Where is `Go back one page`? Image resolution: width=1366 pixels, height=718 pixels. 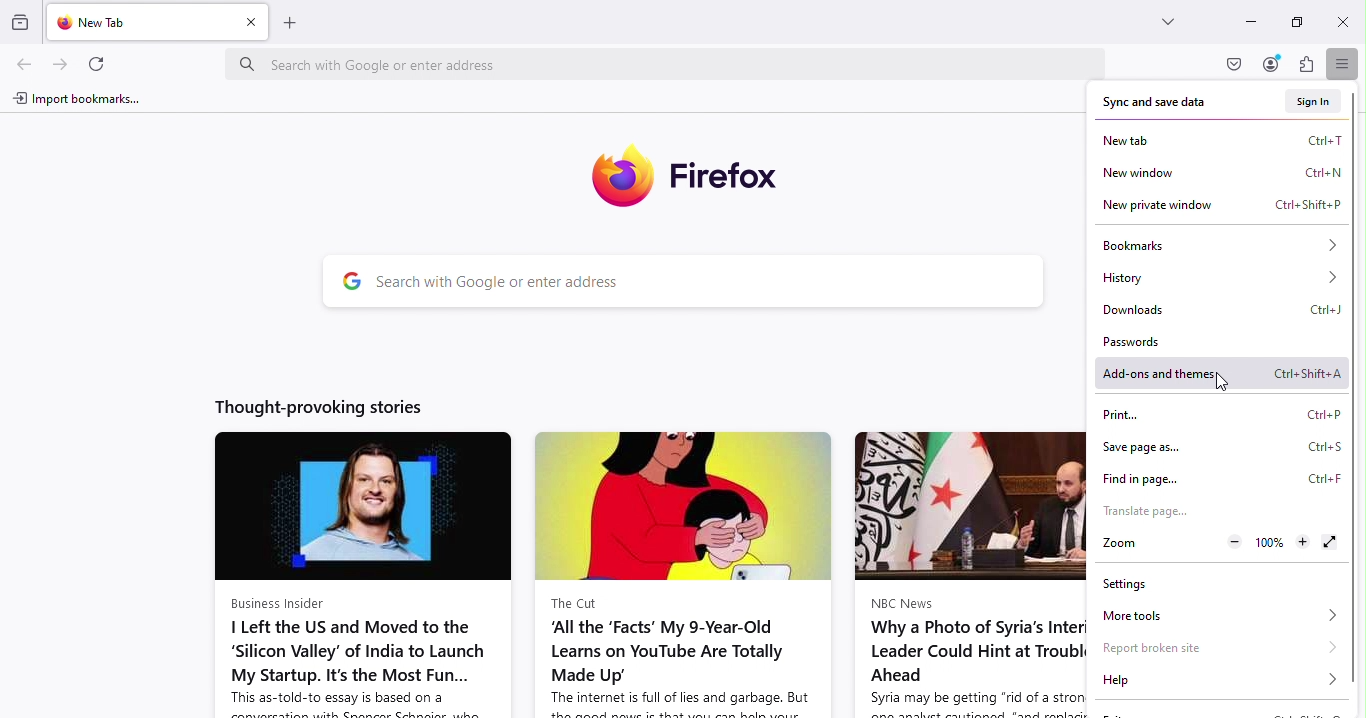
Go back one page is located at coordinates (26, 66).